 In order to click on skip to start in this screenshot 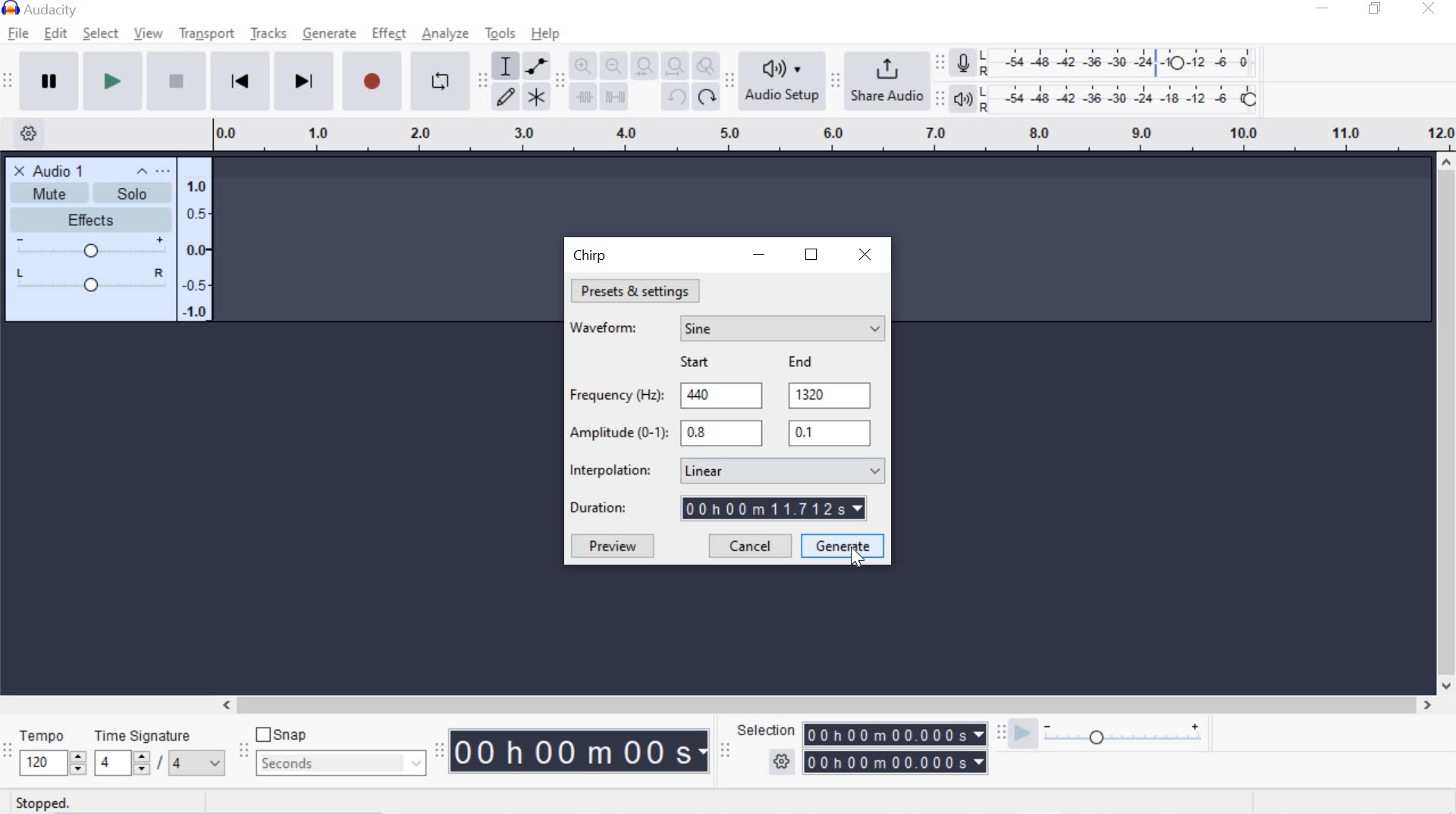, I will do `click(240, 79)`.